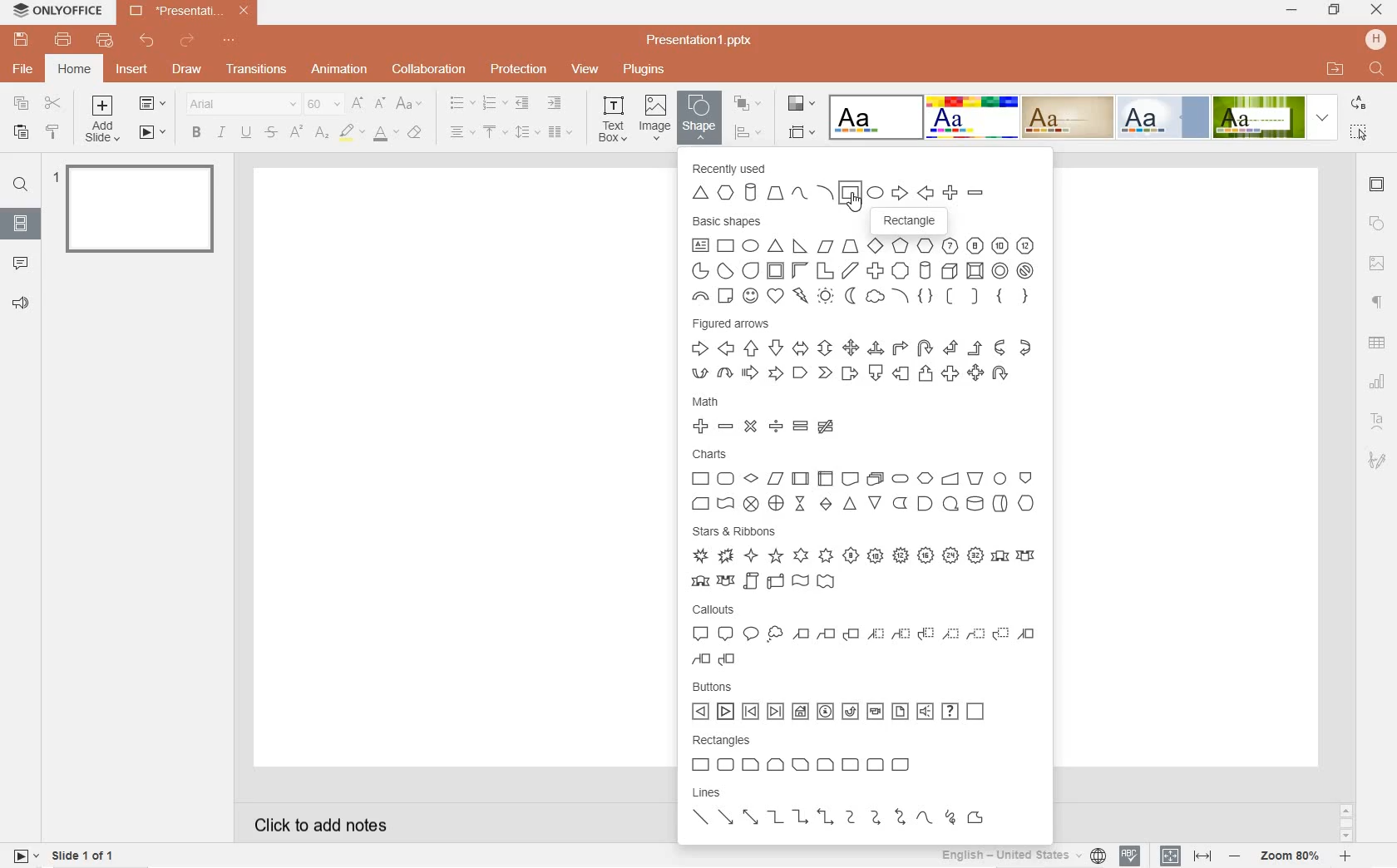 The image size is (1397, 868). What do you see at coordinates (975, 247) in the screenshot?
I see `Octagon` at bounding box center [975, 247].